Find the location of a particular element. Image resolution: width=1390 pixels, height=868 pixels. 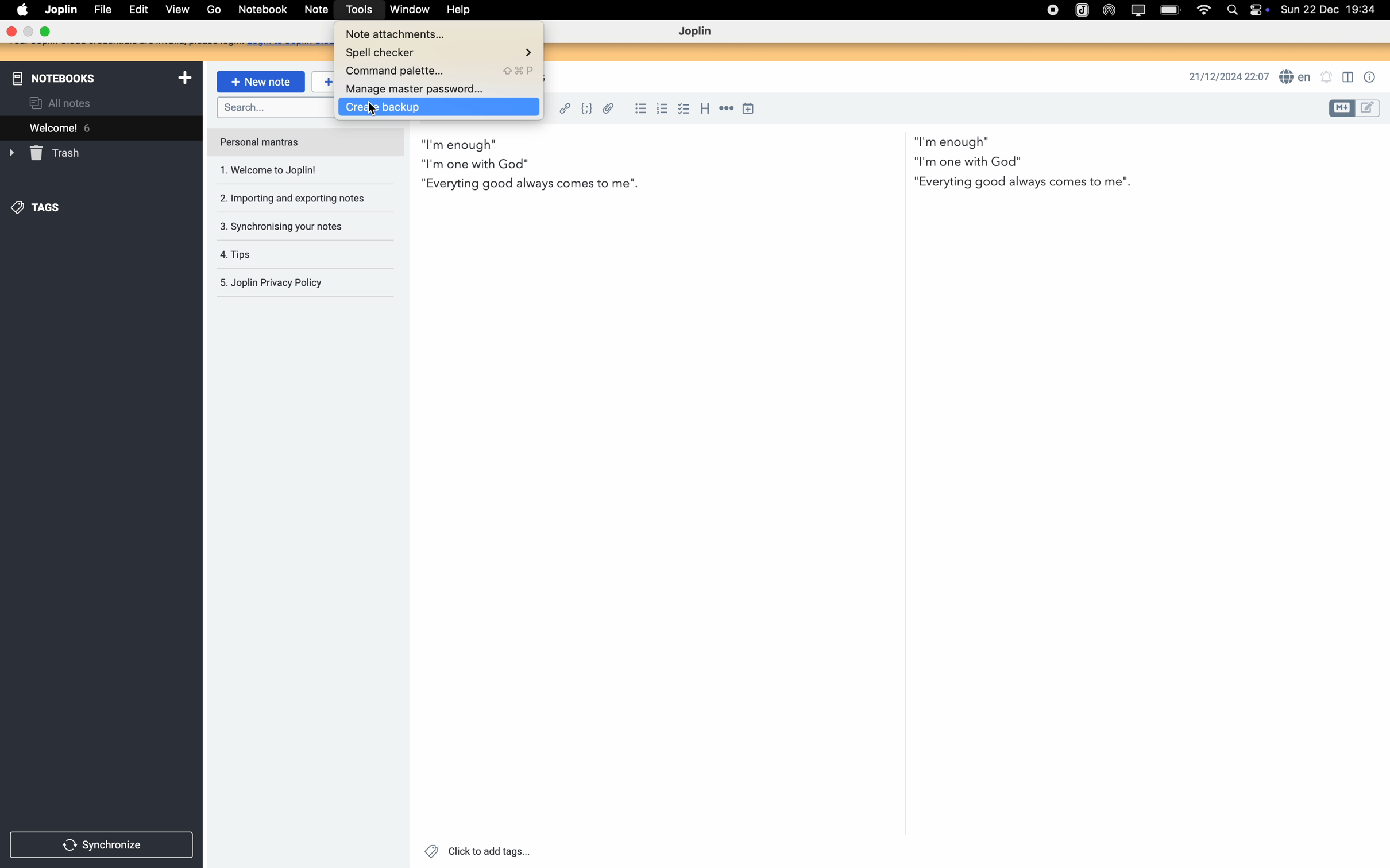

note properties is located at coordinates (1370, 77).